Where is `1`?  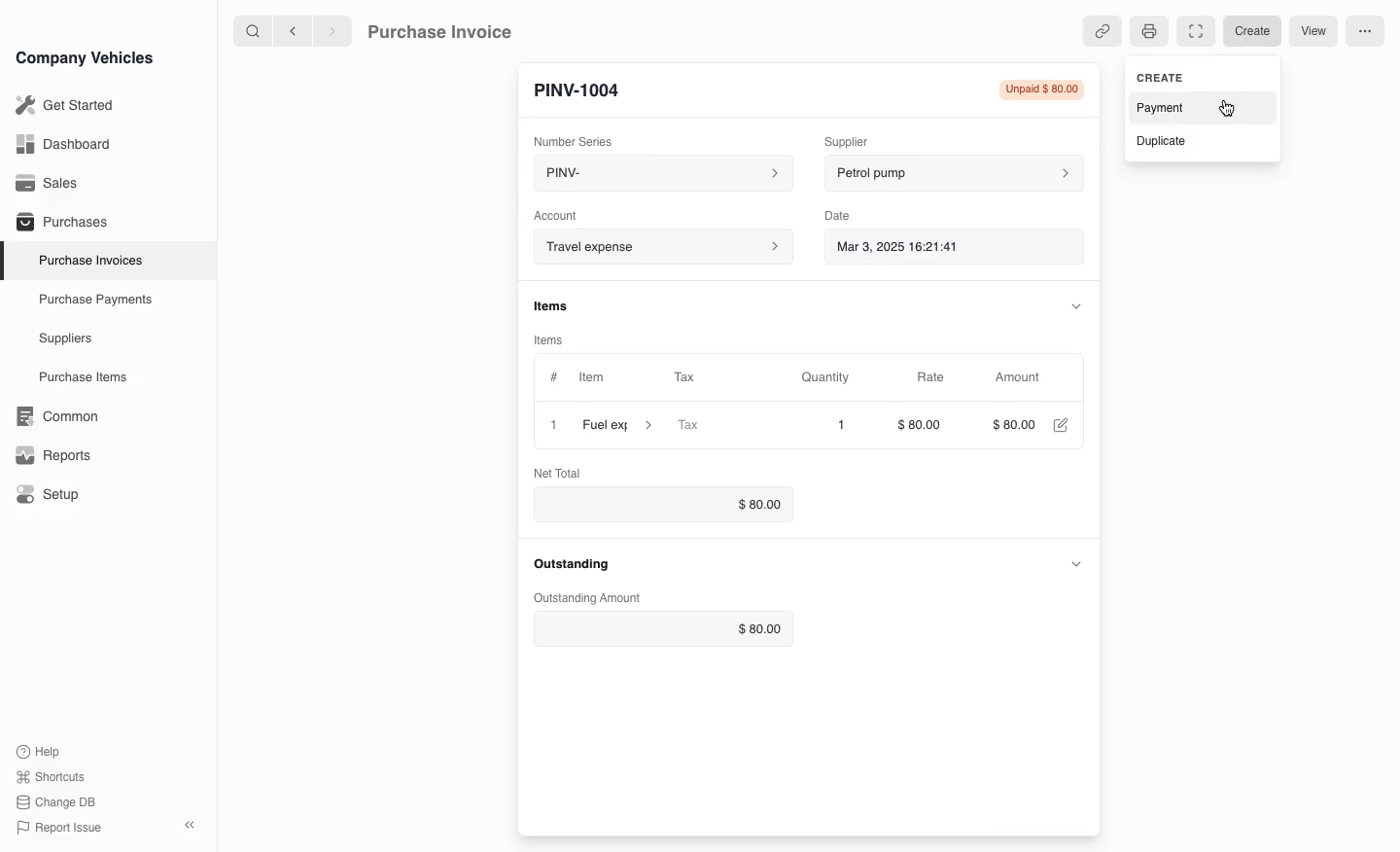
1 is located at coordinates (827, 425).